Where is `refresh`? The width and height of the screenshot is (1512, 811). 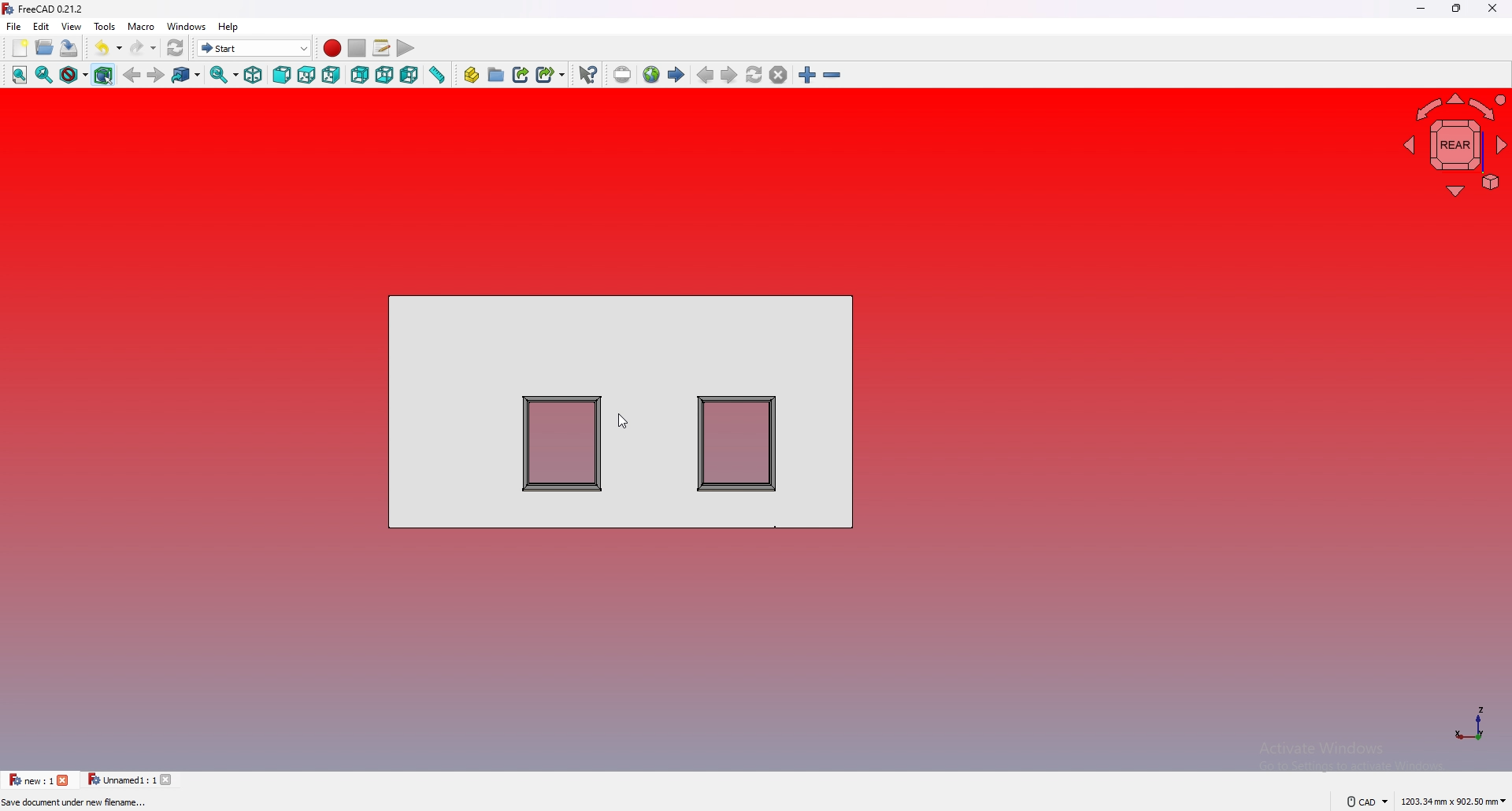 refresh is located at coordinates (175, 48).